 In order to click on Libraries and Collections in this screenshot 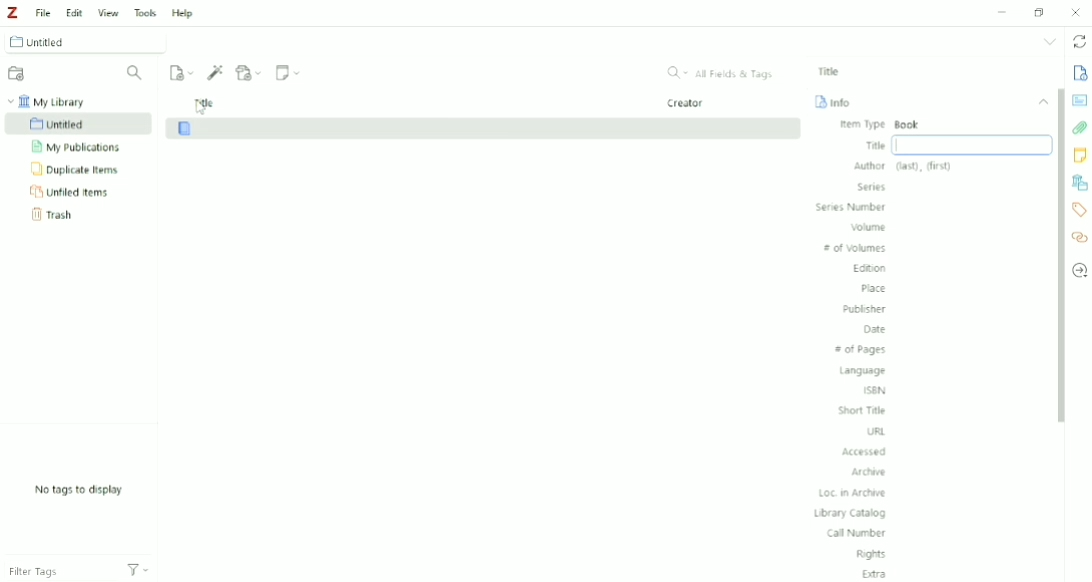, I will do `click(1079, 182)`.